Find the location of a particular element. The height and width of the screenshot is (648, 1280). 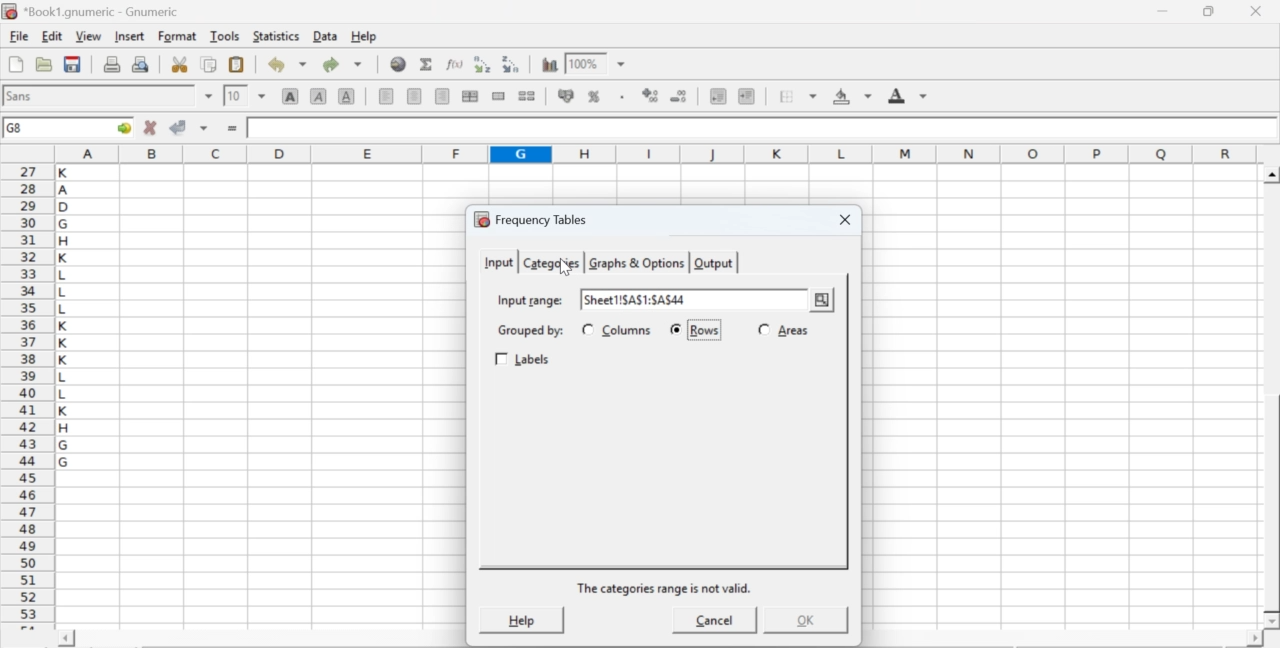

checkbox is located at coordinates (764, 328).